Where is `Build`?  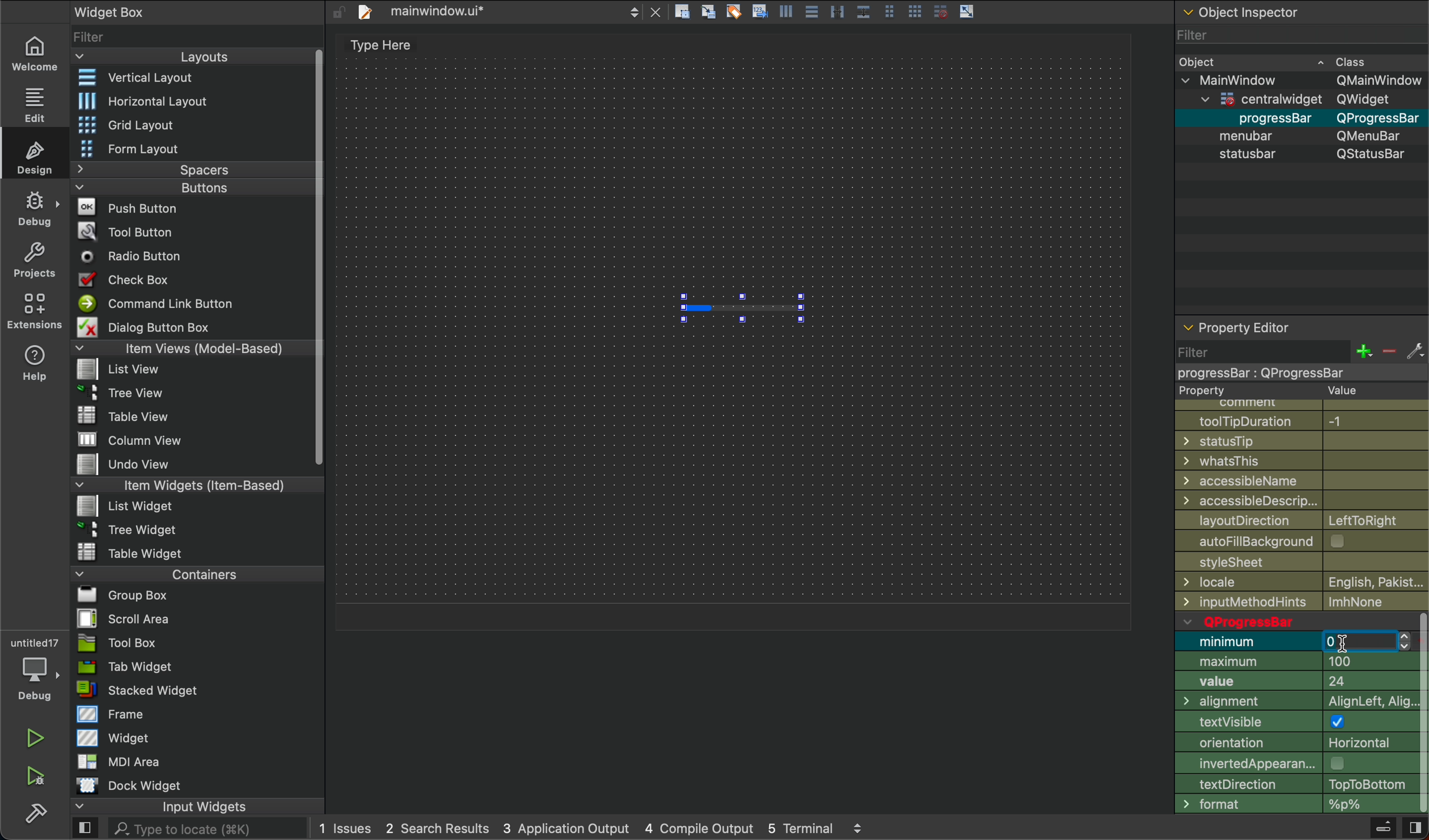 Build is located at coordinates (1382, 829).